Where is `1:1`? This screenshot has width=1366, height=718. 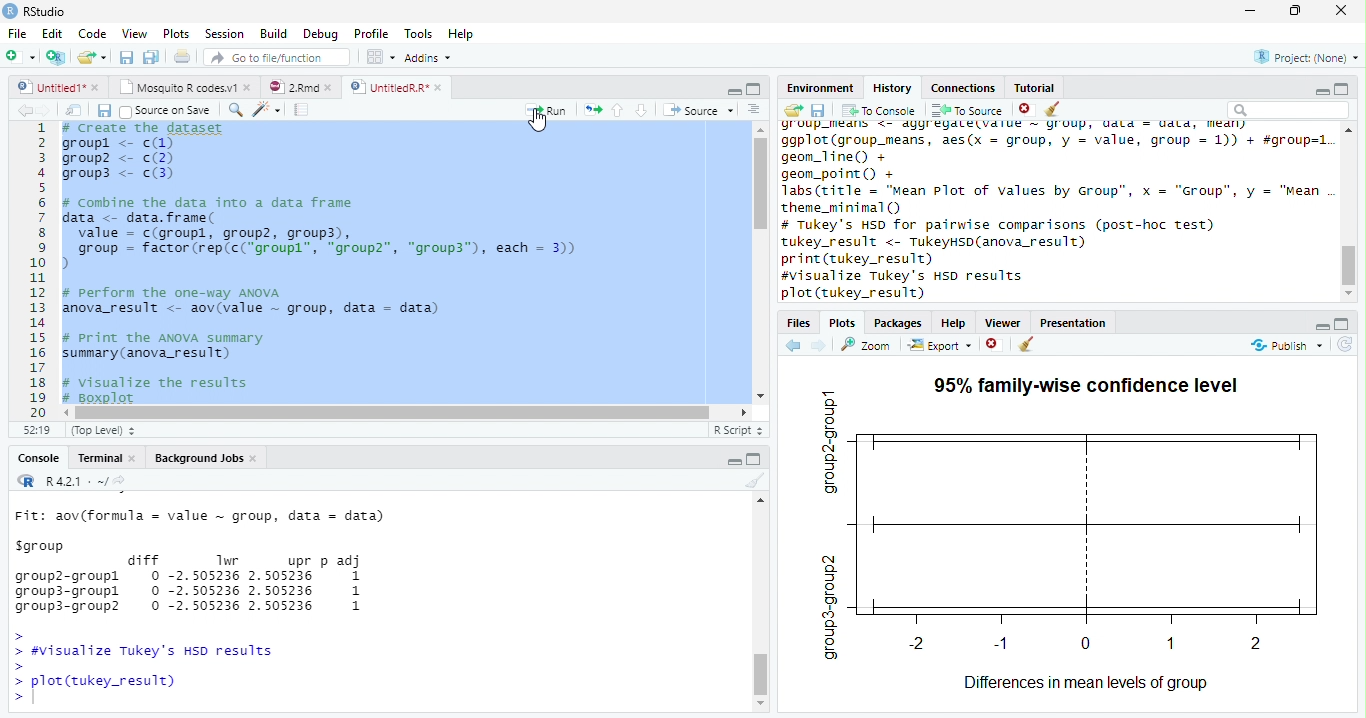 1:1 is located at coordinates (34, 430).